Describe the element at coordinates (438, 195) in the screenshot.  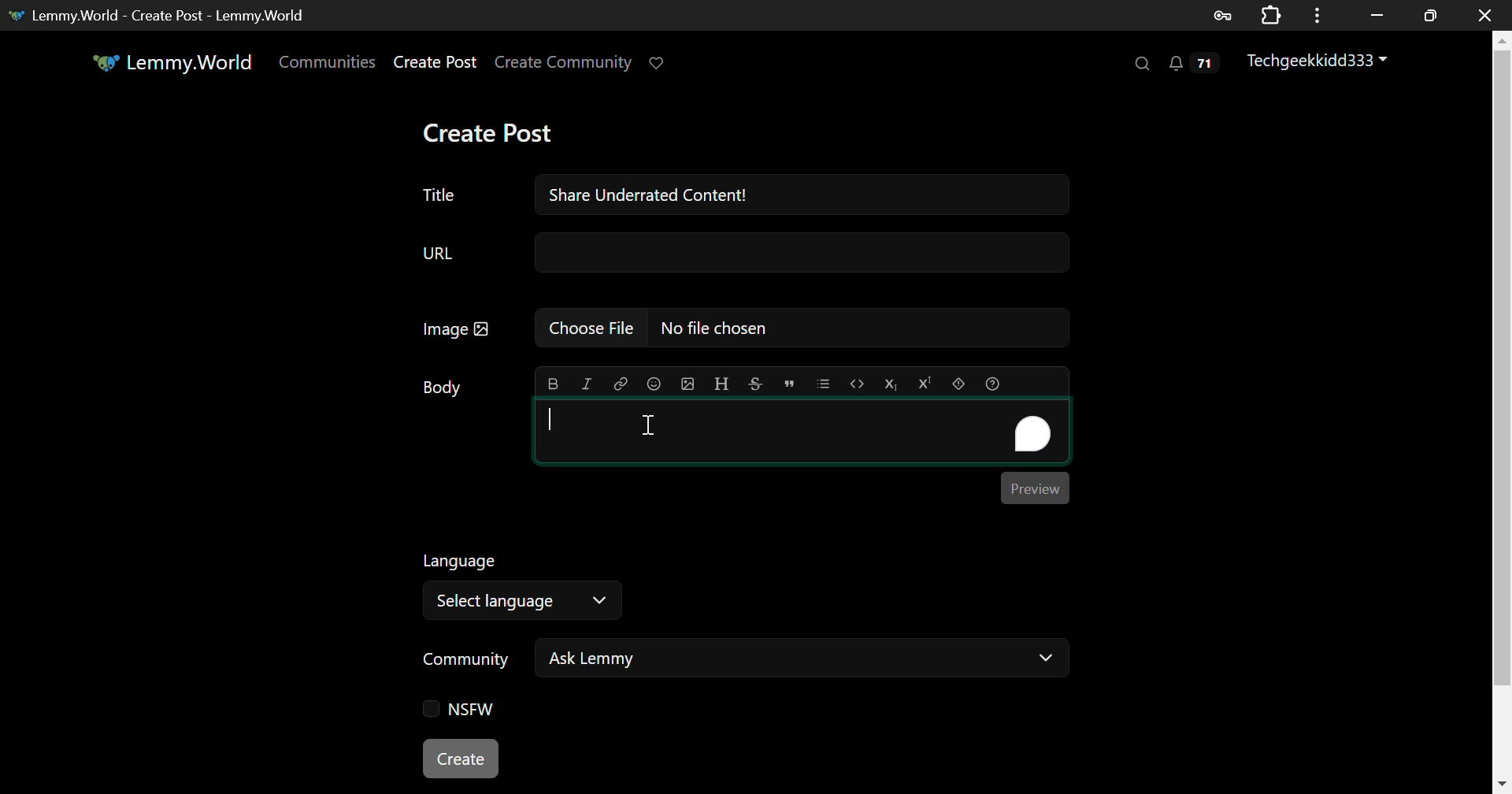
I see `Title` at that location.